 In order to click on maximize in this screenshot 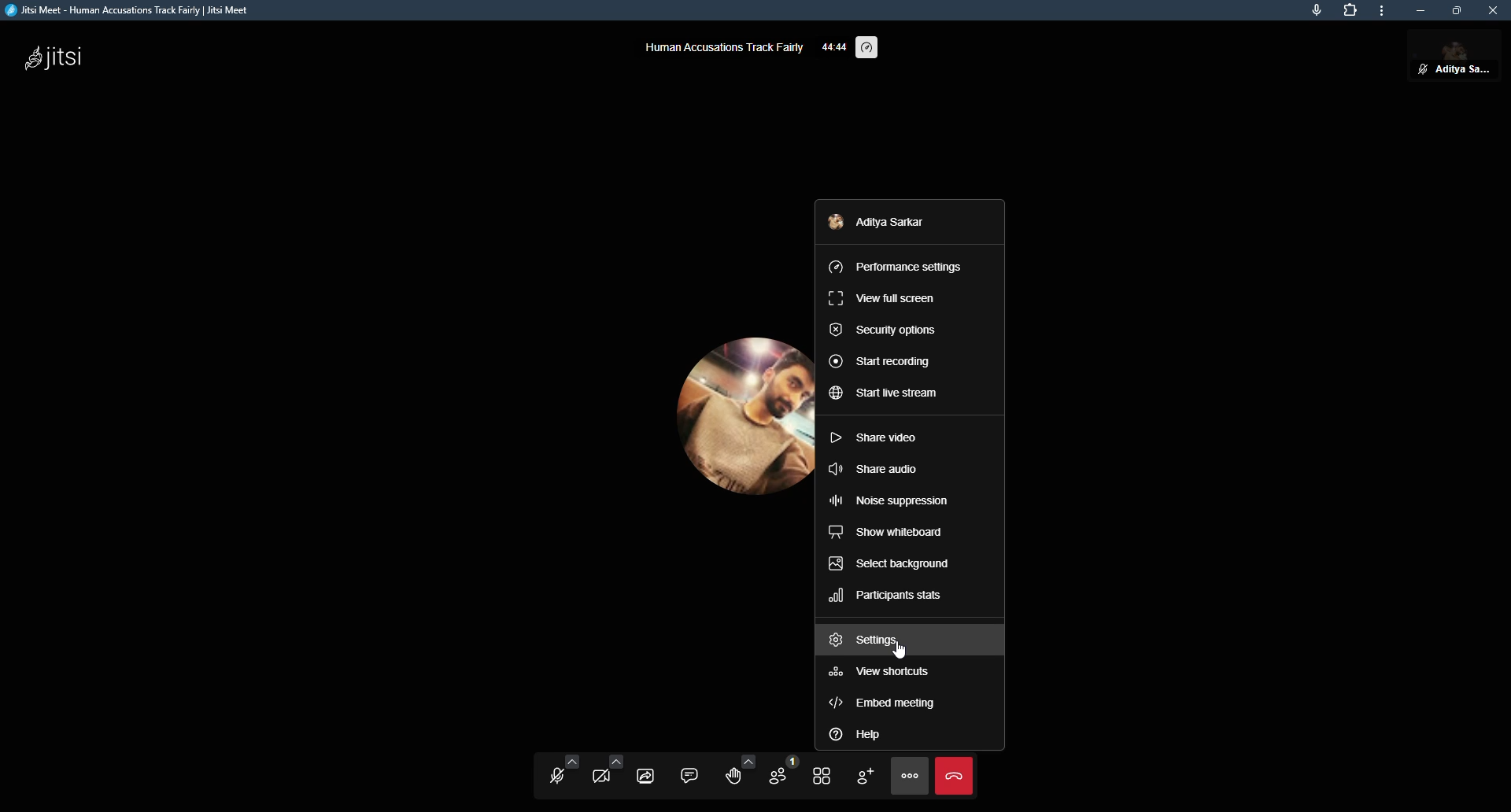, I will do `click(1457, 10)`.